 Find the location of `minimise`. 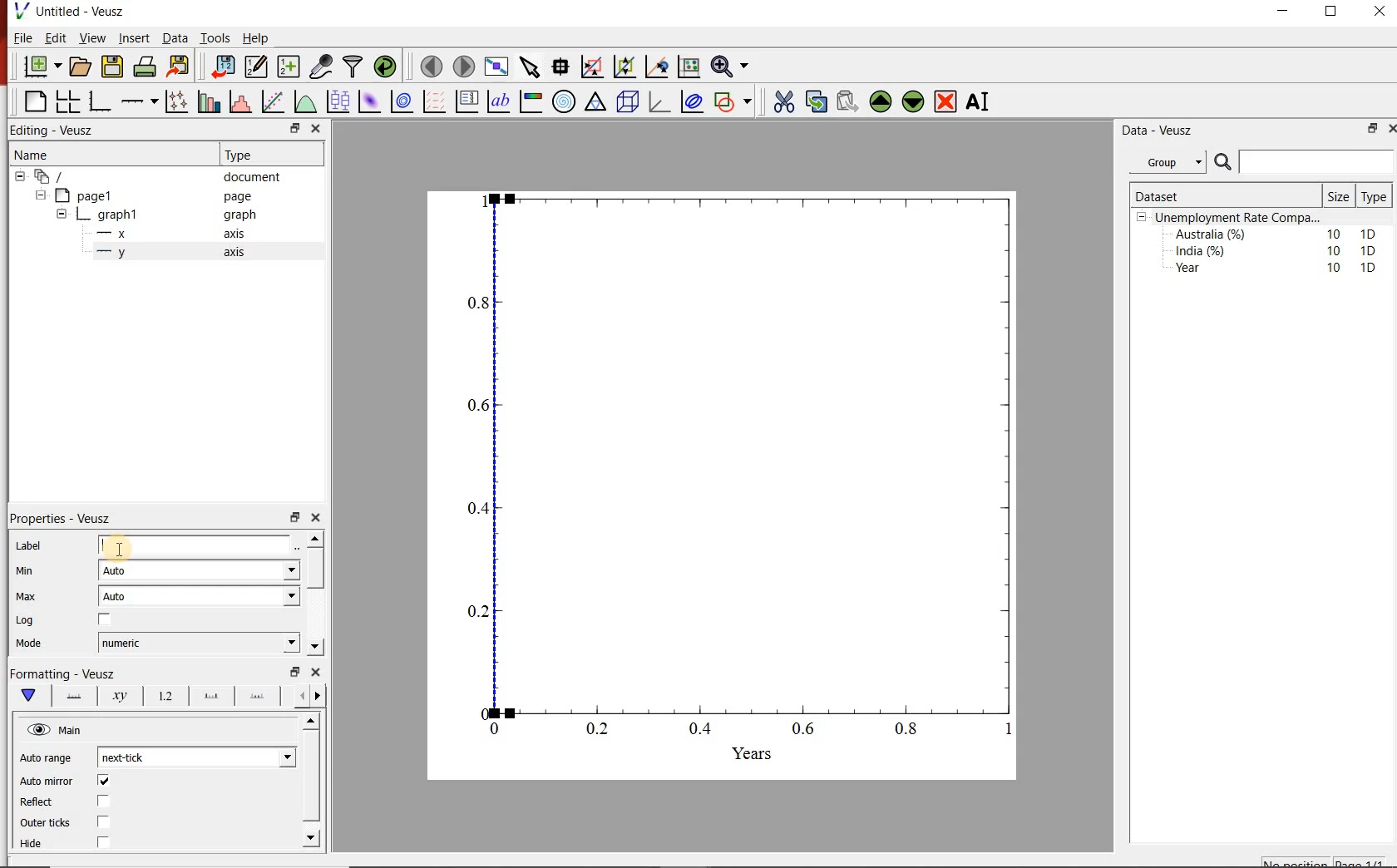

minimise is located at coordinates (1371, 128).